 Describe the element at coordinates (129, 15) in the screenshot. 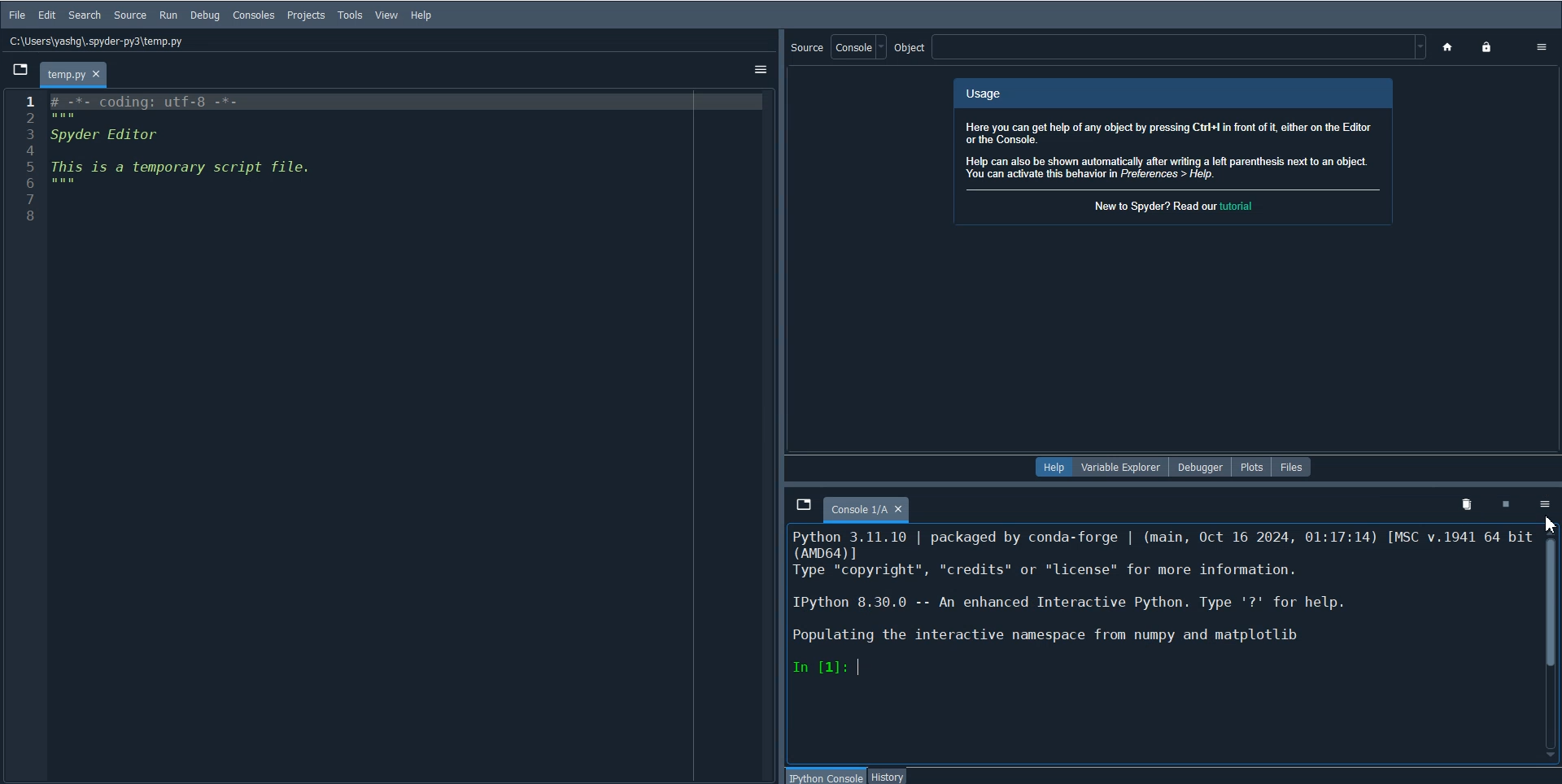

I see `Source` at that location.